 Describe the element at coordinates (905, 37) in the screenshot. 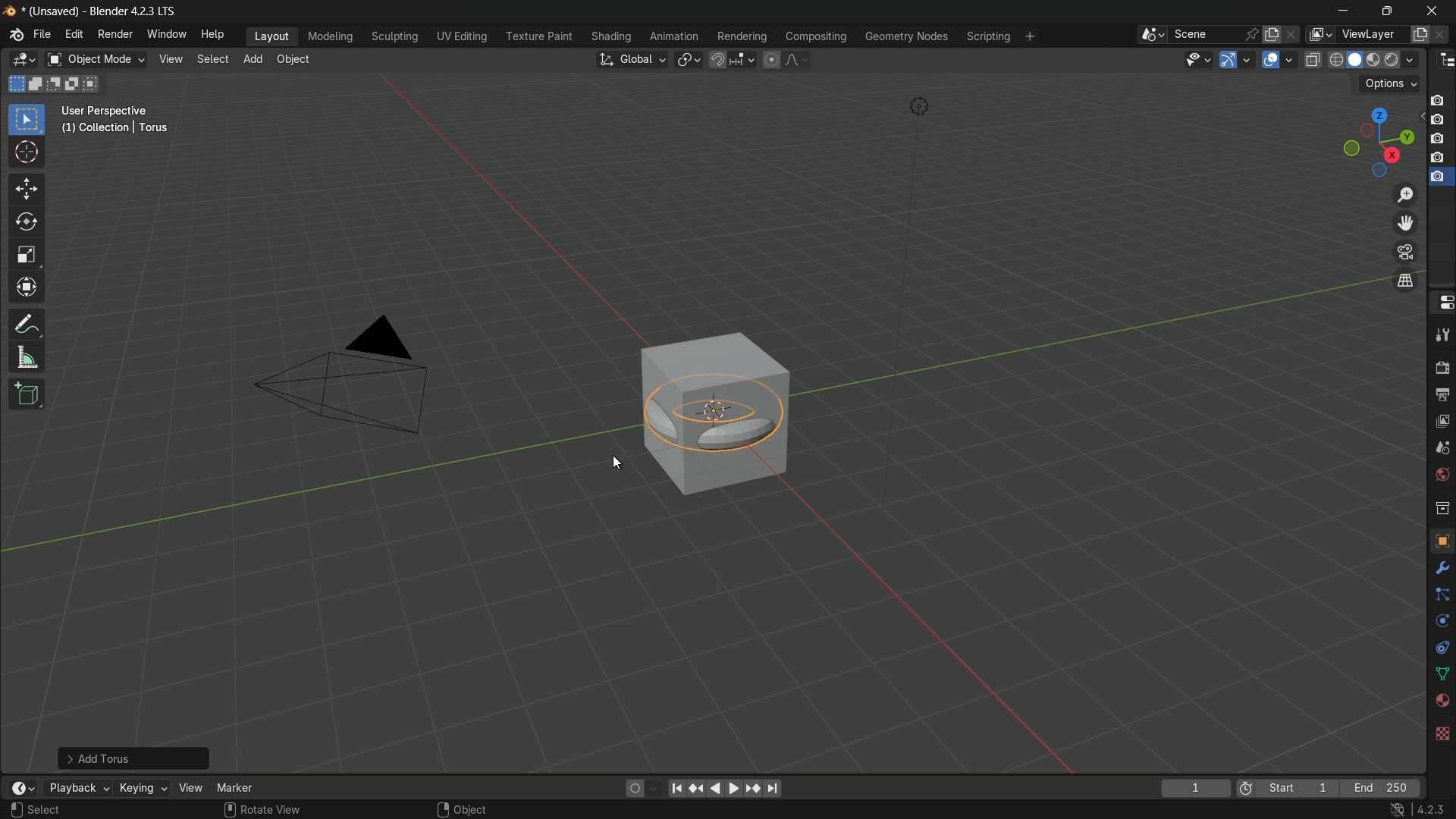

I see `geometry nodes` at that location.